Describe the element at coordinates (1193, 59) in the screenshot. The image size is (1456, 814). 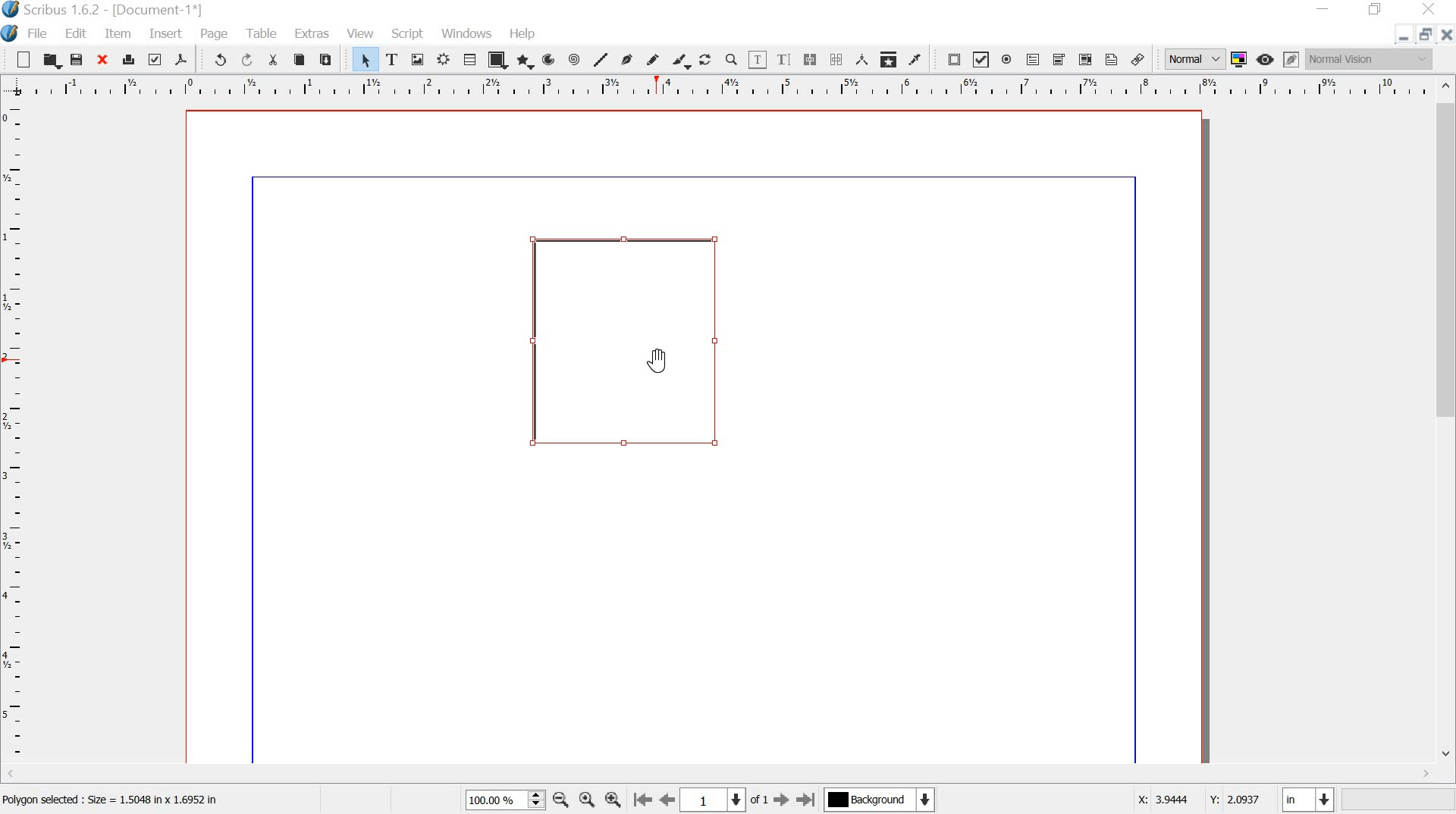
I see `normal` at that location.